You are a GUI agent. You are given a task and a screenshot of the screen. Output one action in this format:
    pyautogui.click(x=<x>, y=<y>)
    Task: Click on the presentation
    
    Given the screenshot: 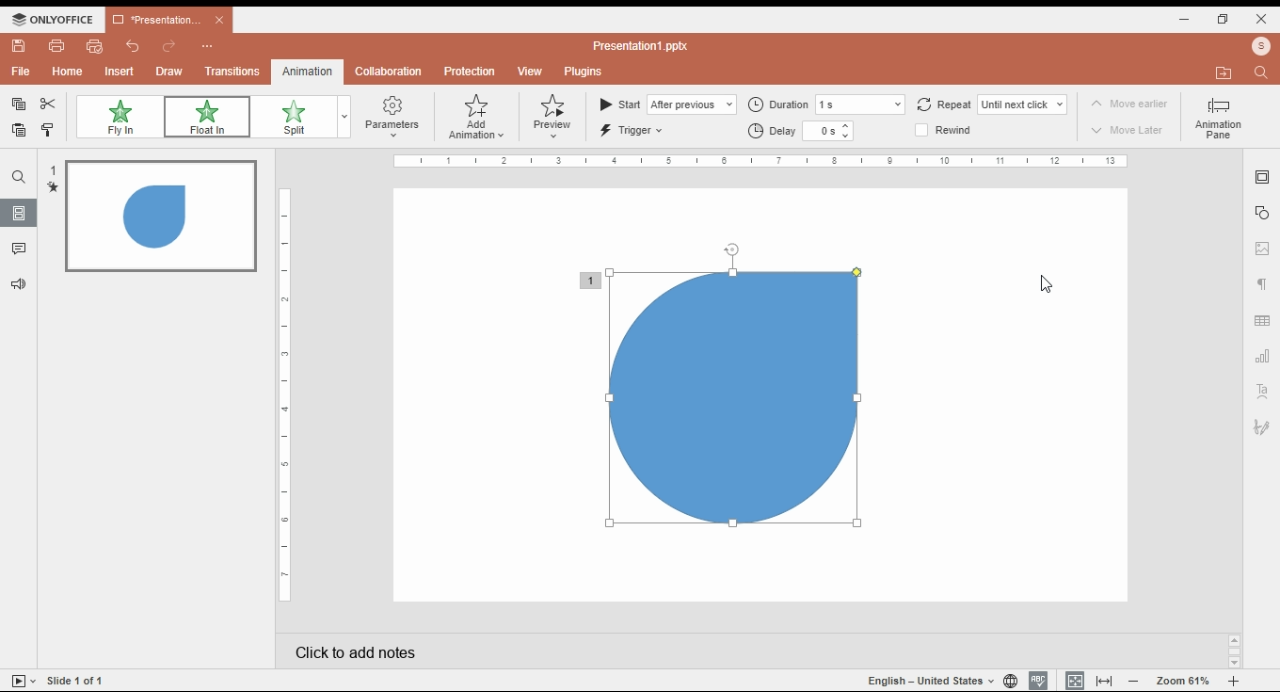 What is the action you would take?
    pyautogui.click(x=167, y=20)
    